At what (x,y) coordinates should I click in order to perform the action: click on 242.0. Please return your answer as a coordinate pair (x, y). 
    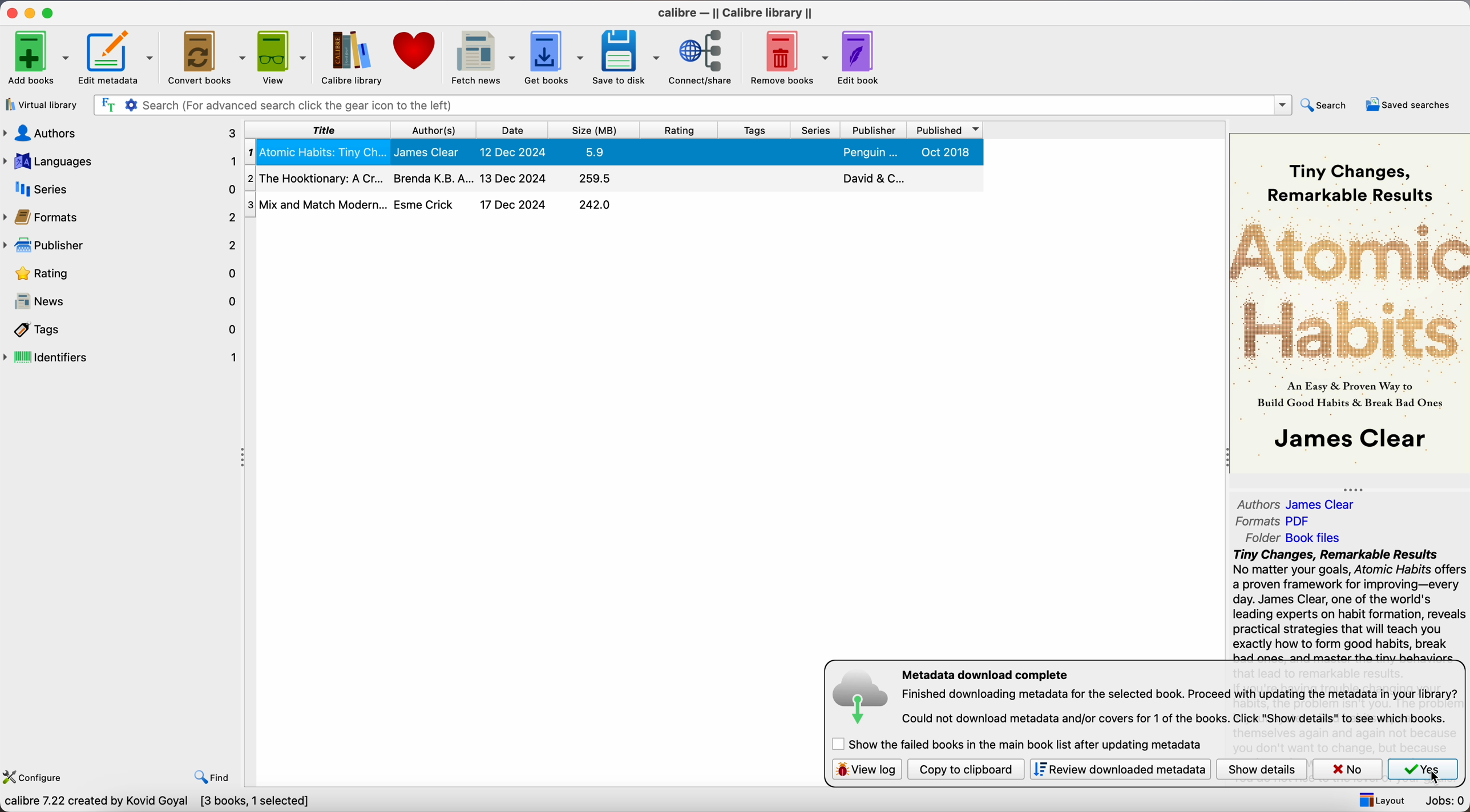
    Looking at the image, I should click on (595, 205).